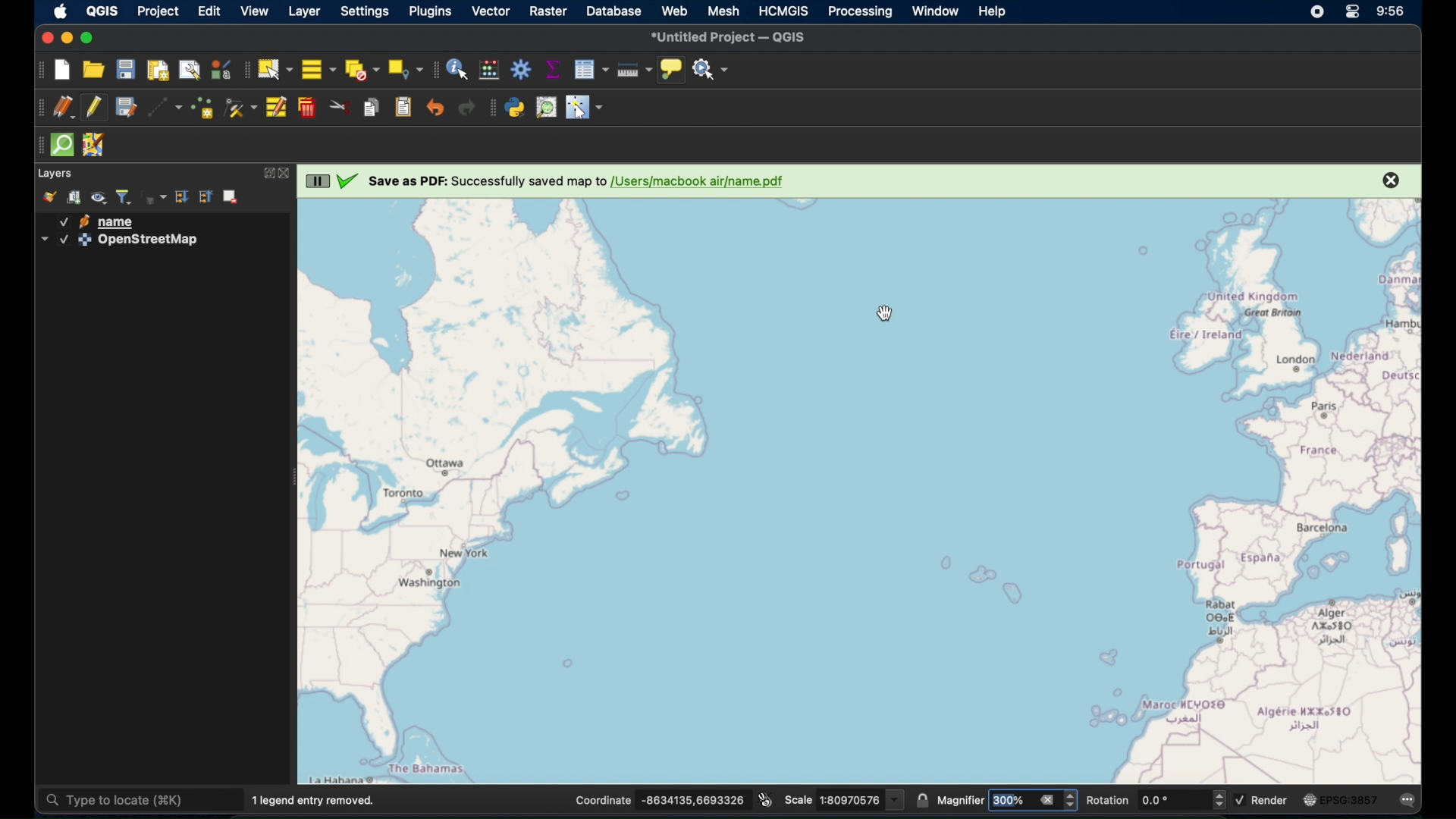  I want to click on select by location, so click(405, 70).